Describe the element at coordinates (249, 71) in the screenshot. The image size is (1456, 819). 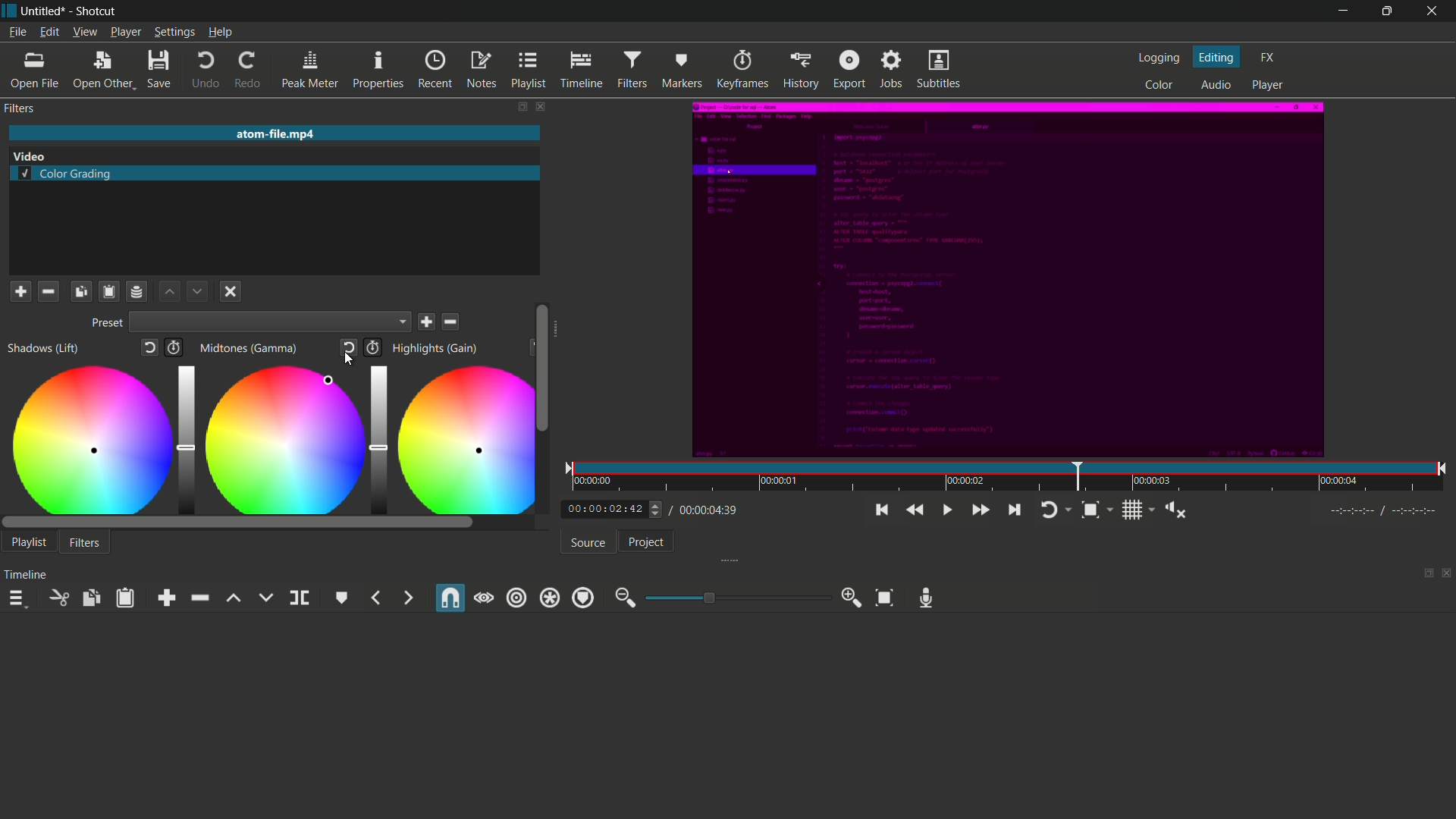
I see `redo` at that location.